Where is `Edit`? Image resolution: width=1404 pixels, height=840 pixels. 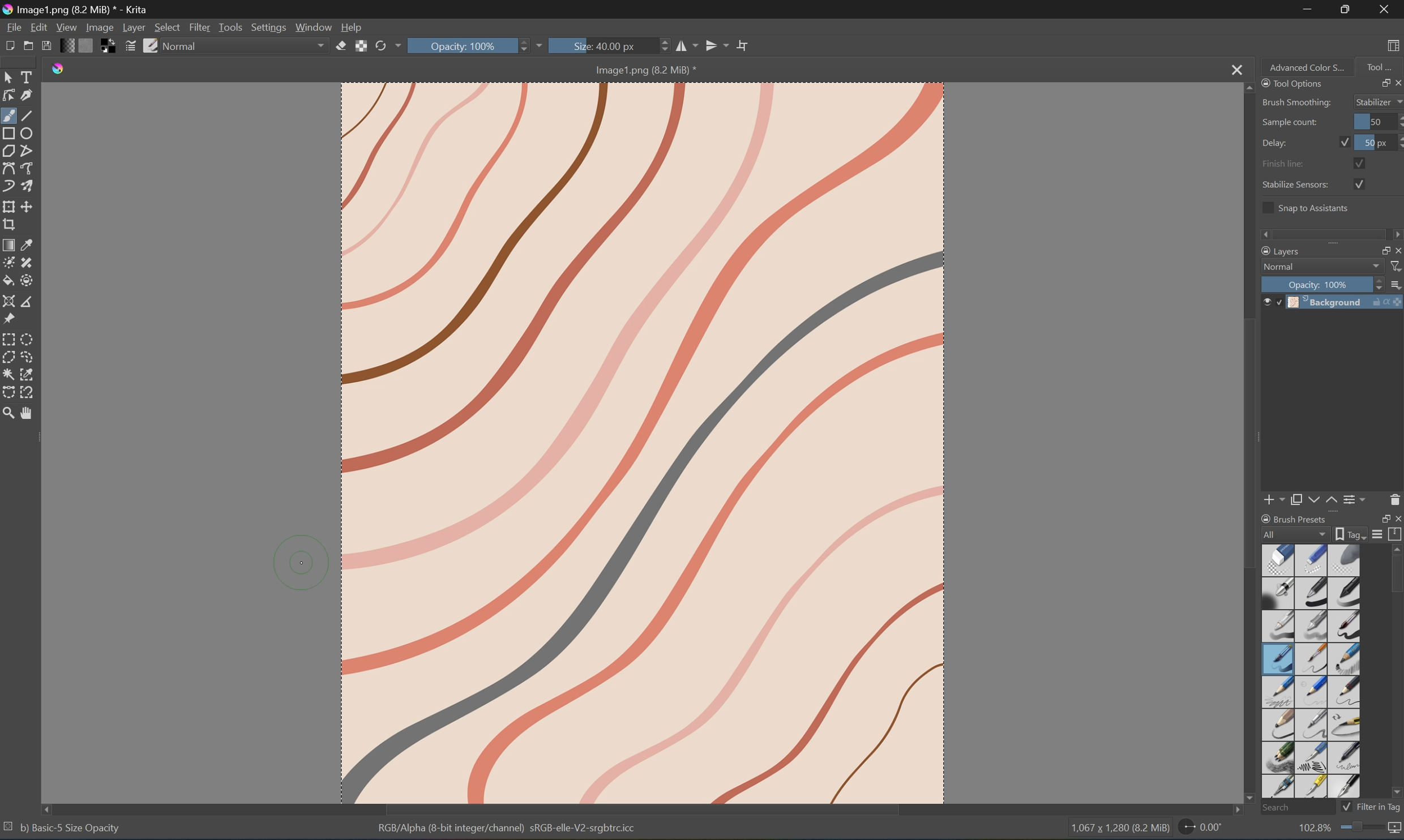 Edit is located at coordinates (38, 26).